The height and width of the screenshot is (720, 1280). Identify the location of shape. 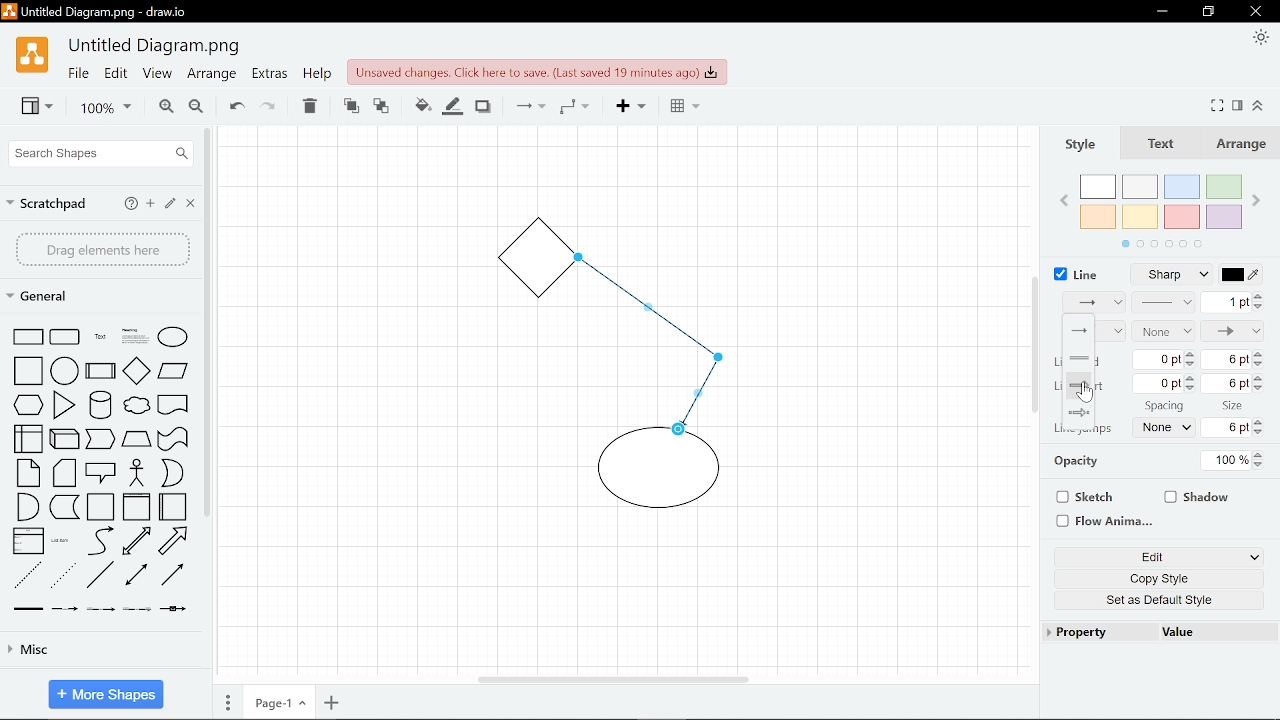
(67, 610).